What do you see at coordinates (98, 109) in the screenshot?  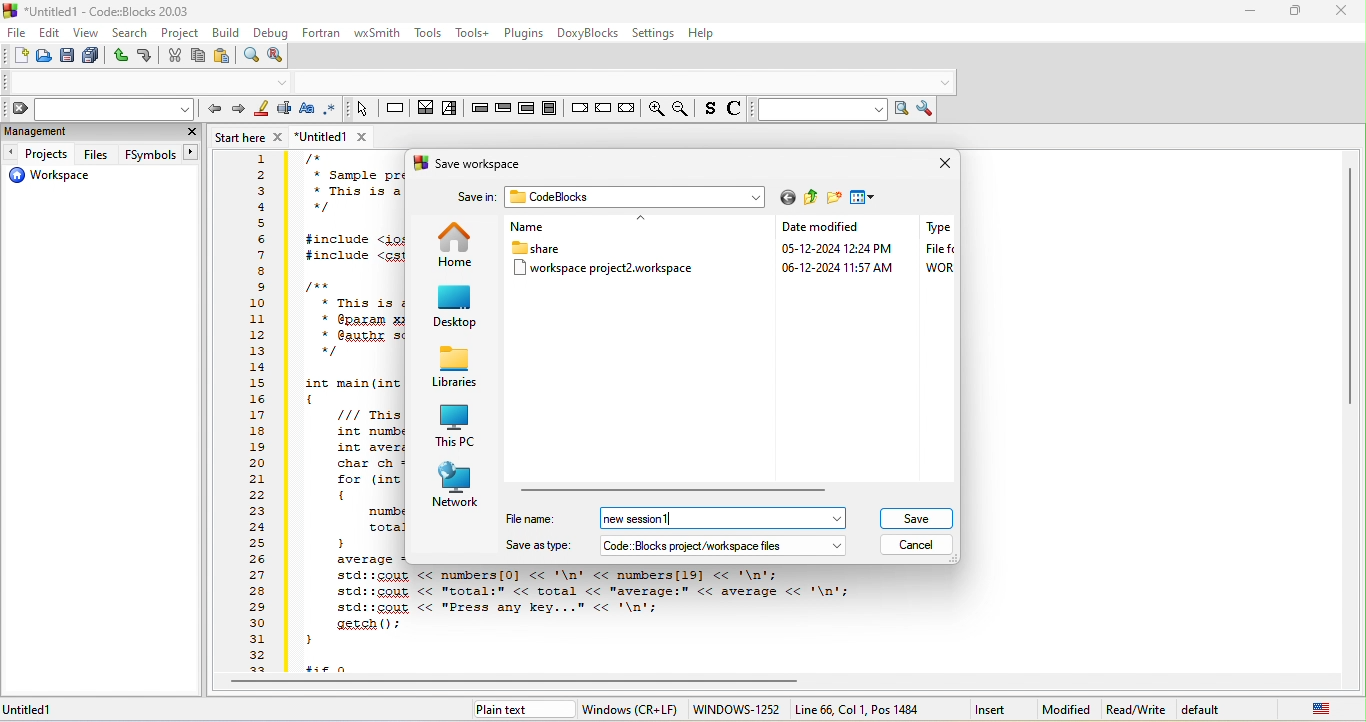 I see `clear` at bounding box center [98, 109].